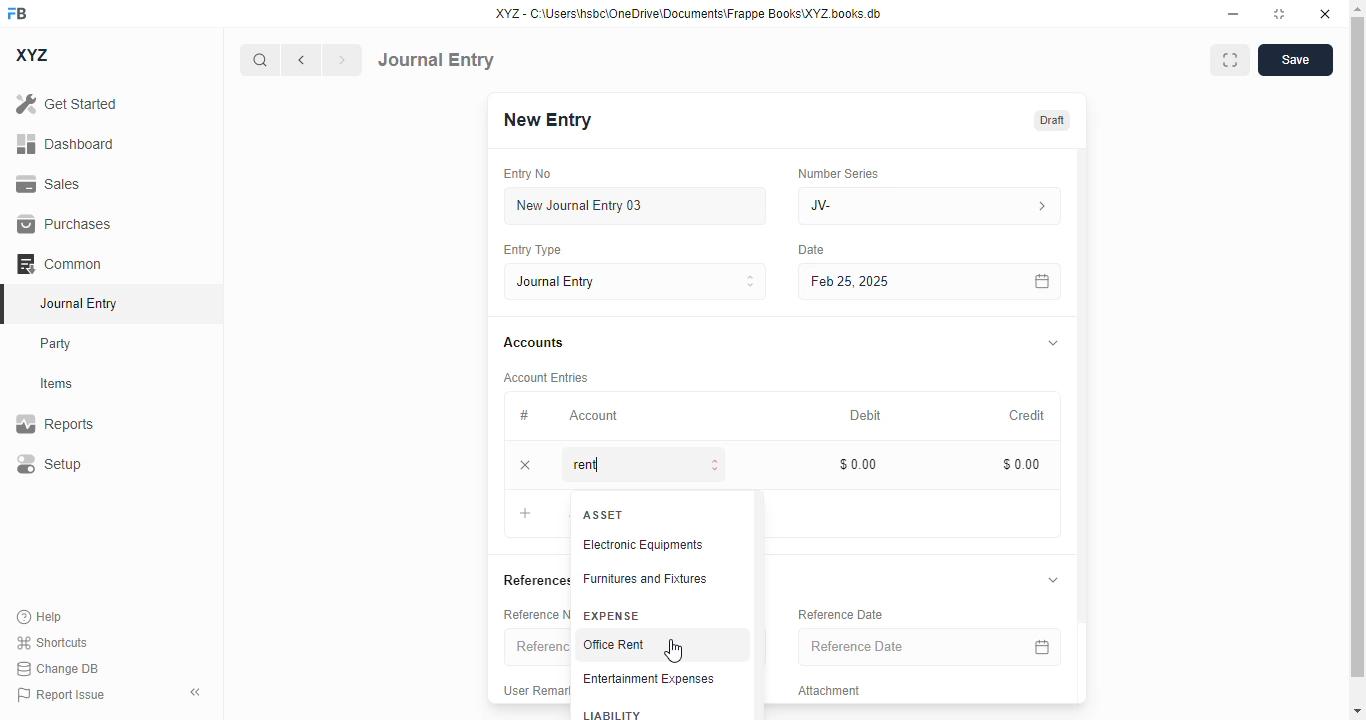 This screenshot has height=720, width=1366. I want to click on XYZ - C:\Users\hsbc\OneDrive\Documents\Frappe Books\XYZ books.db, so click(688, 13).